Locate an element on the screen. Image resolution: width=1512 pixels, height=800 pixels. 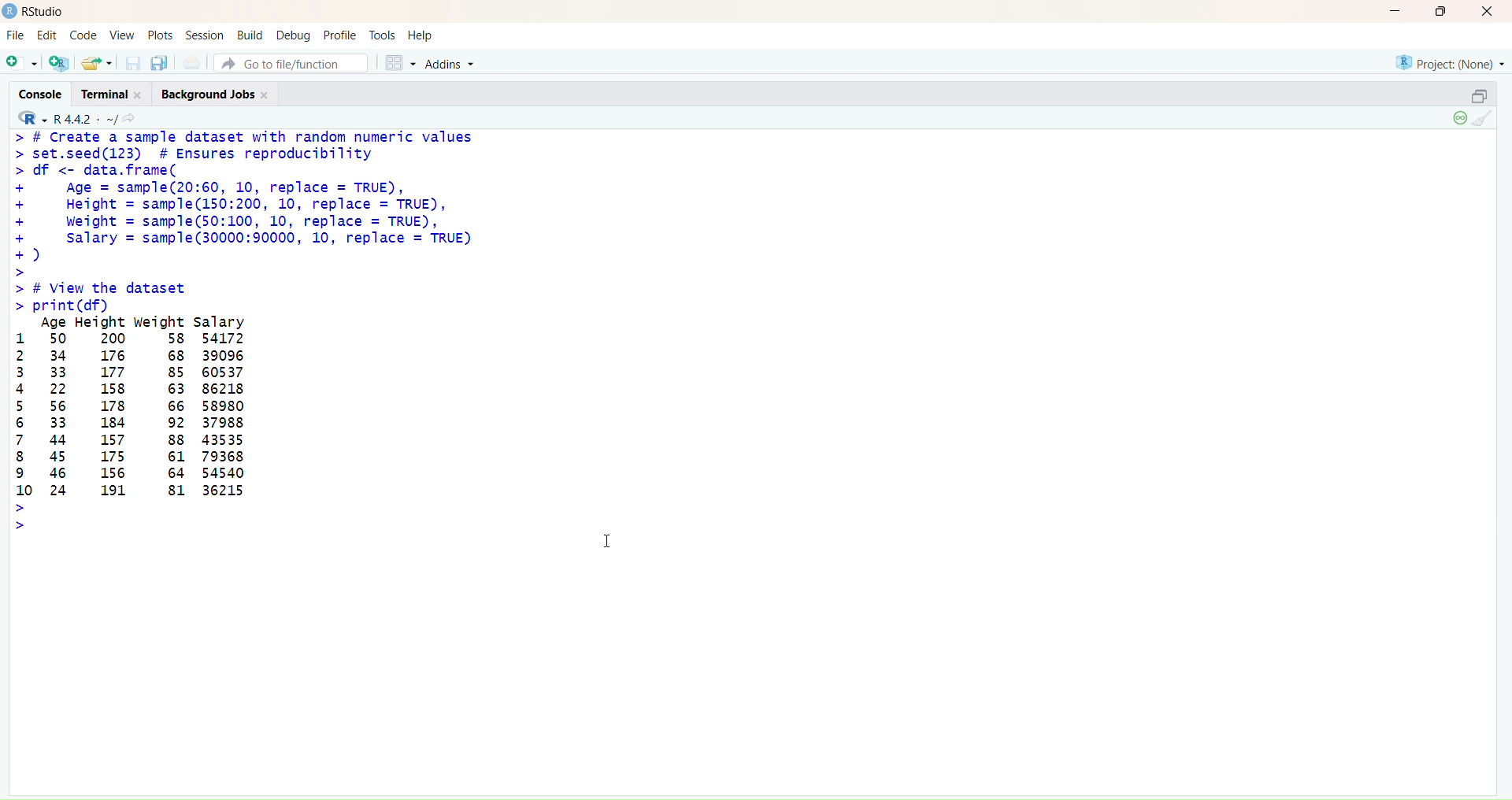
Debug is located at coordinates (294, 35).